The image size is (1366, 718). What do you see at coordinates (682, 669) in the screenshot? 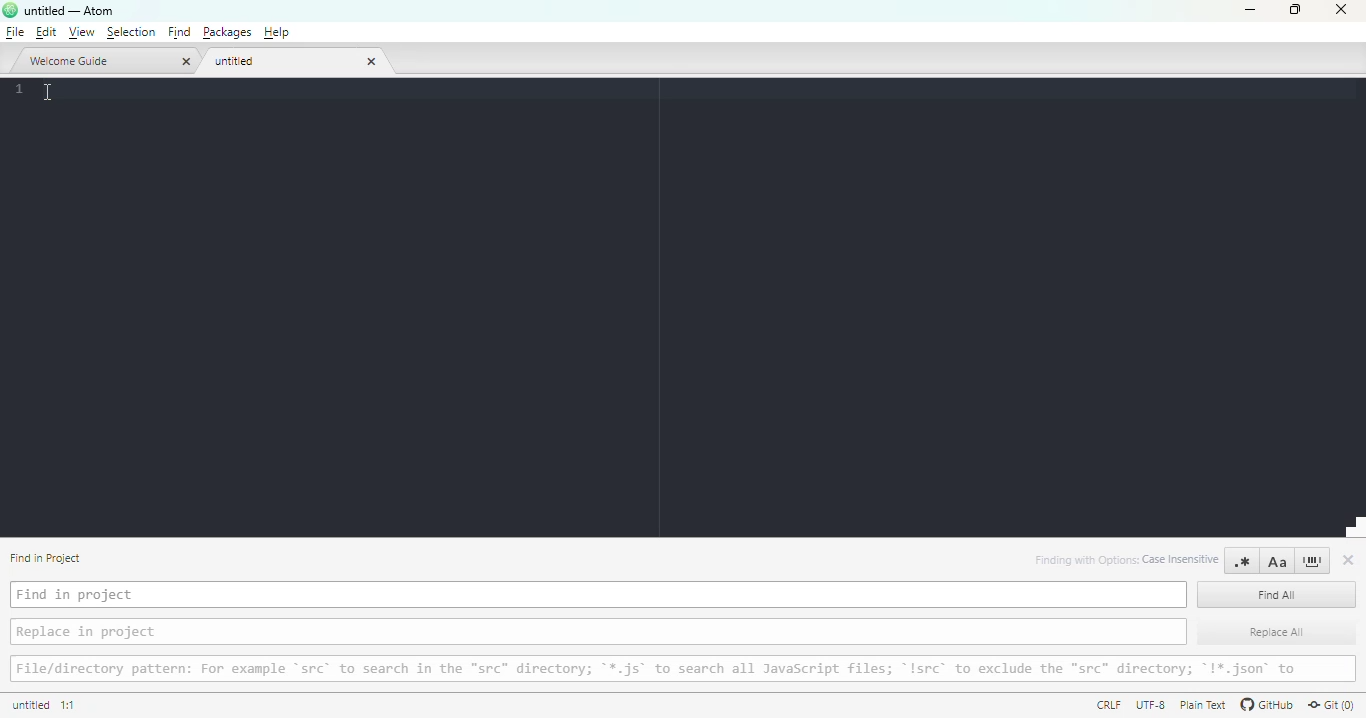
I see `file/directory pattern` at bounding box center [682, 669].